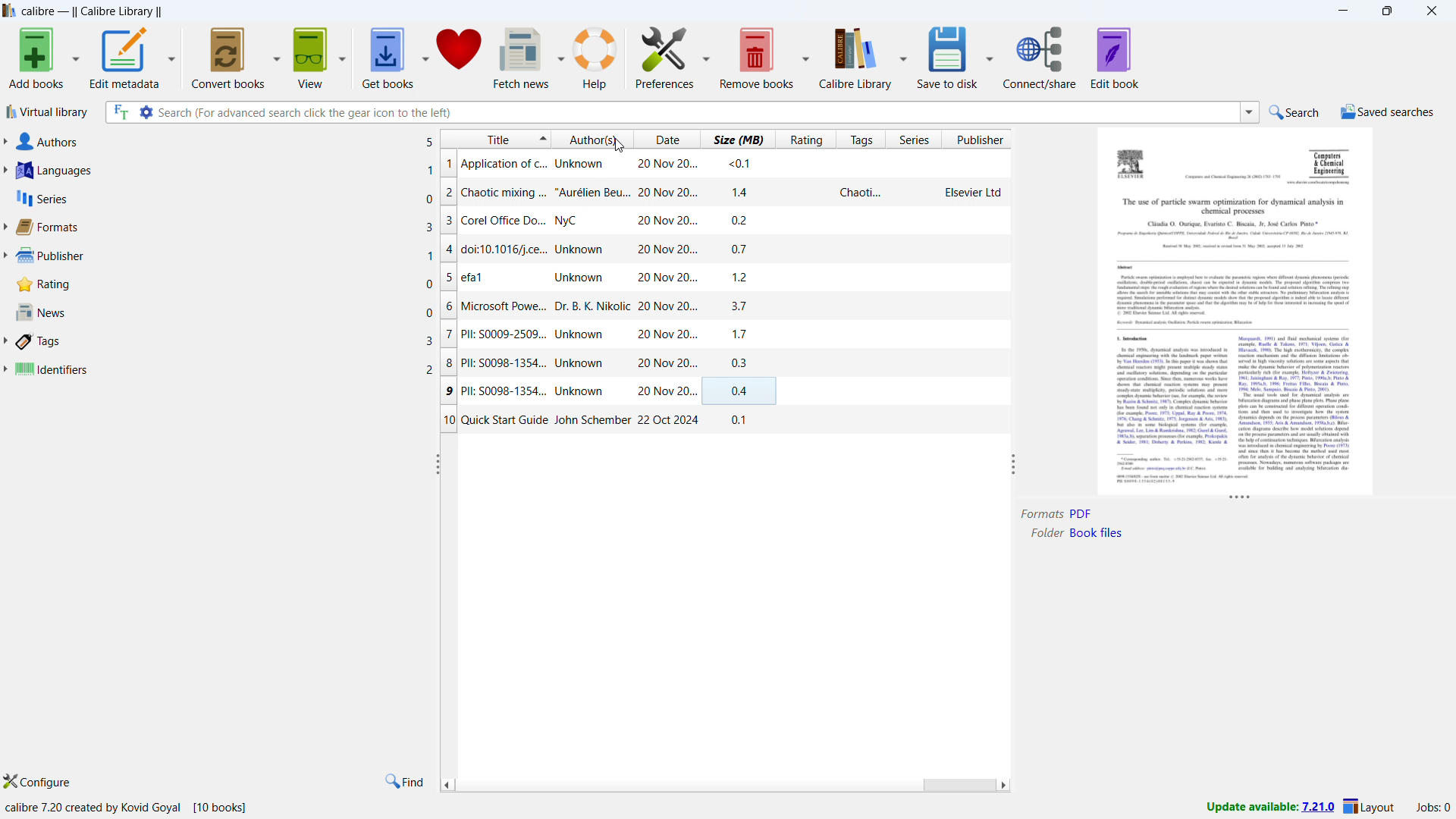 This screenshot has height=819, width=1456. What do you see at coordinates (460, 58) in the screenshot?
I see `donate calibre` at bounding box center [460, 58].